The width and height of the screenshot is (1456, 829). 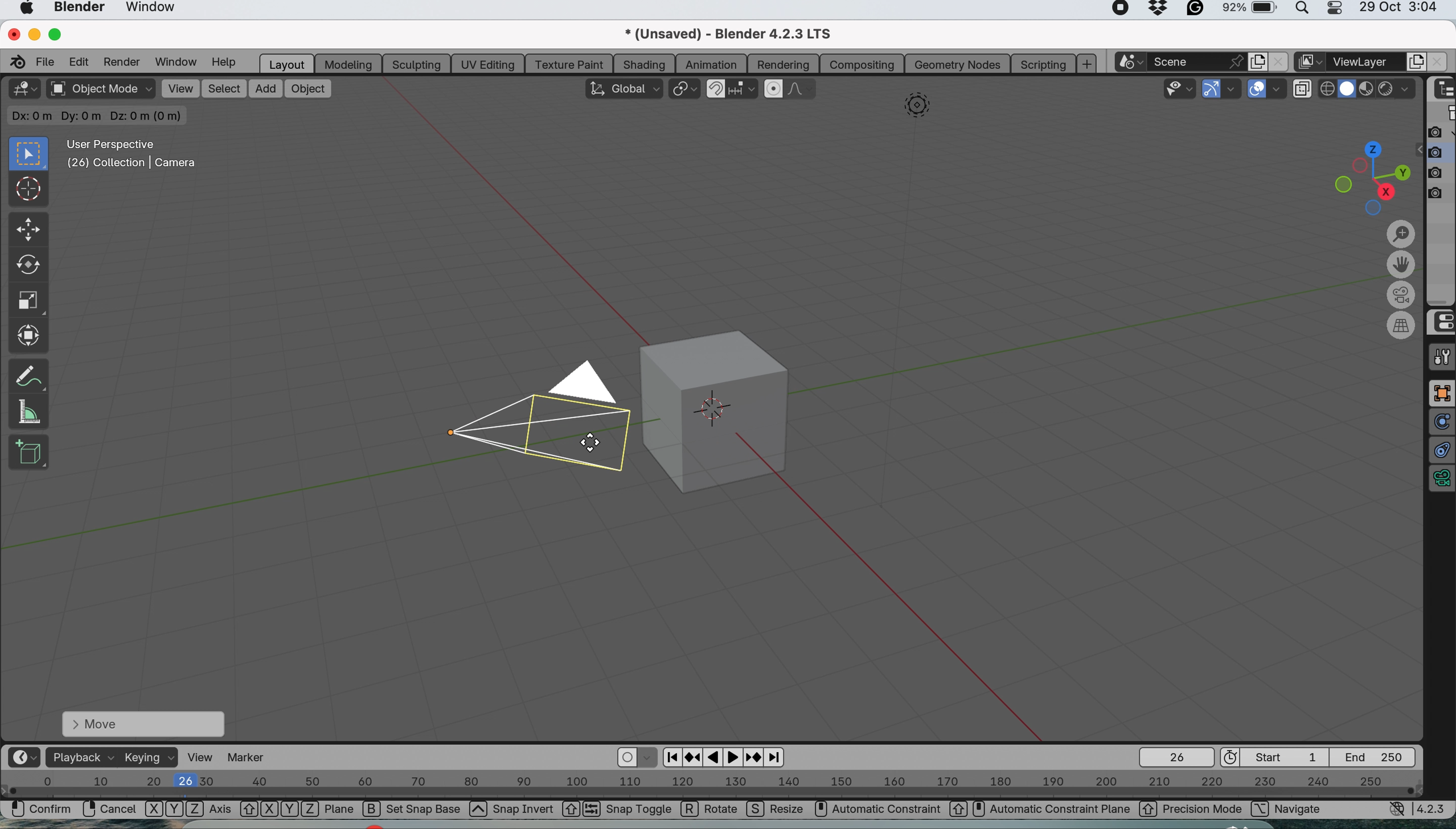 What do you see at coordinates (1403, 296) in the screenshot?
I see `toggle the camera view` at bounding box center [1403, 296].